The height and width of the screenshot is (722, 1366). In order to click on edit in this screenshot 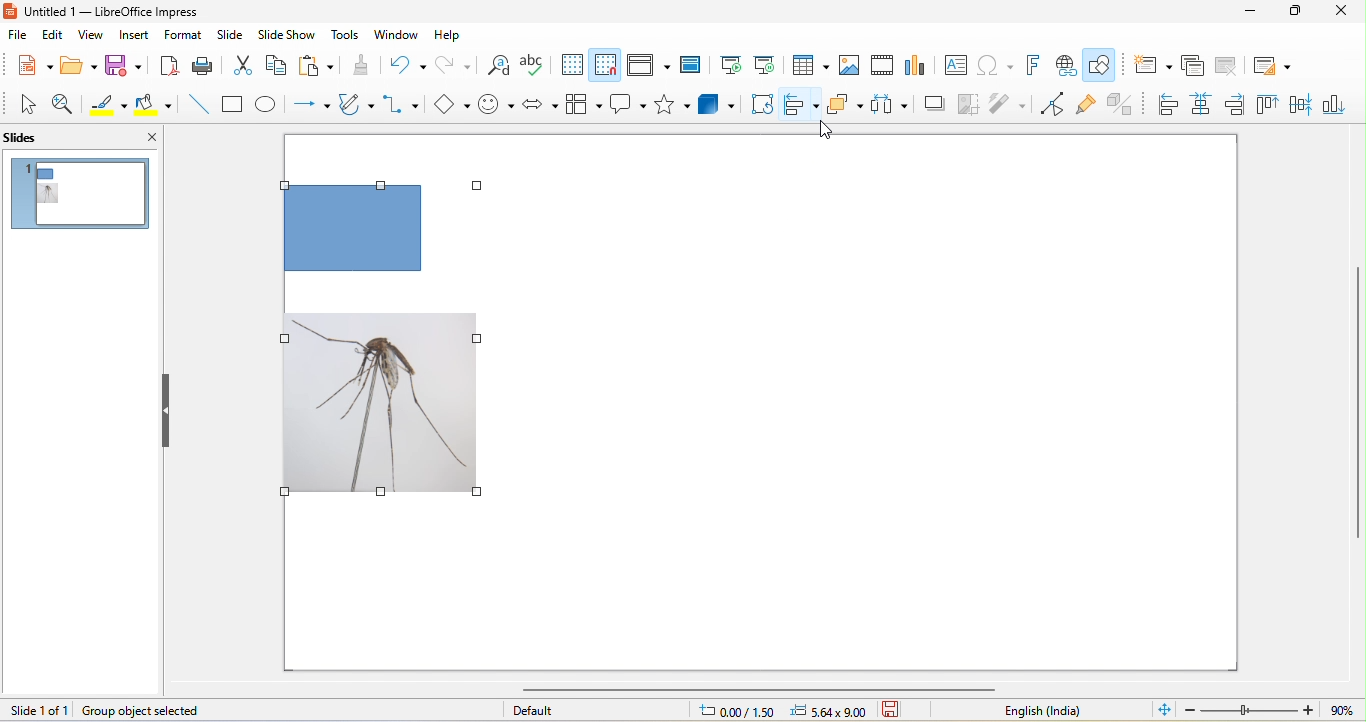, I will do `click(53, 35)`.